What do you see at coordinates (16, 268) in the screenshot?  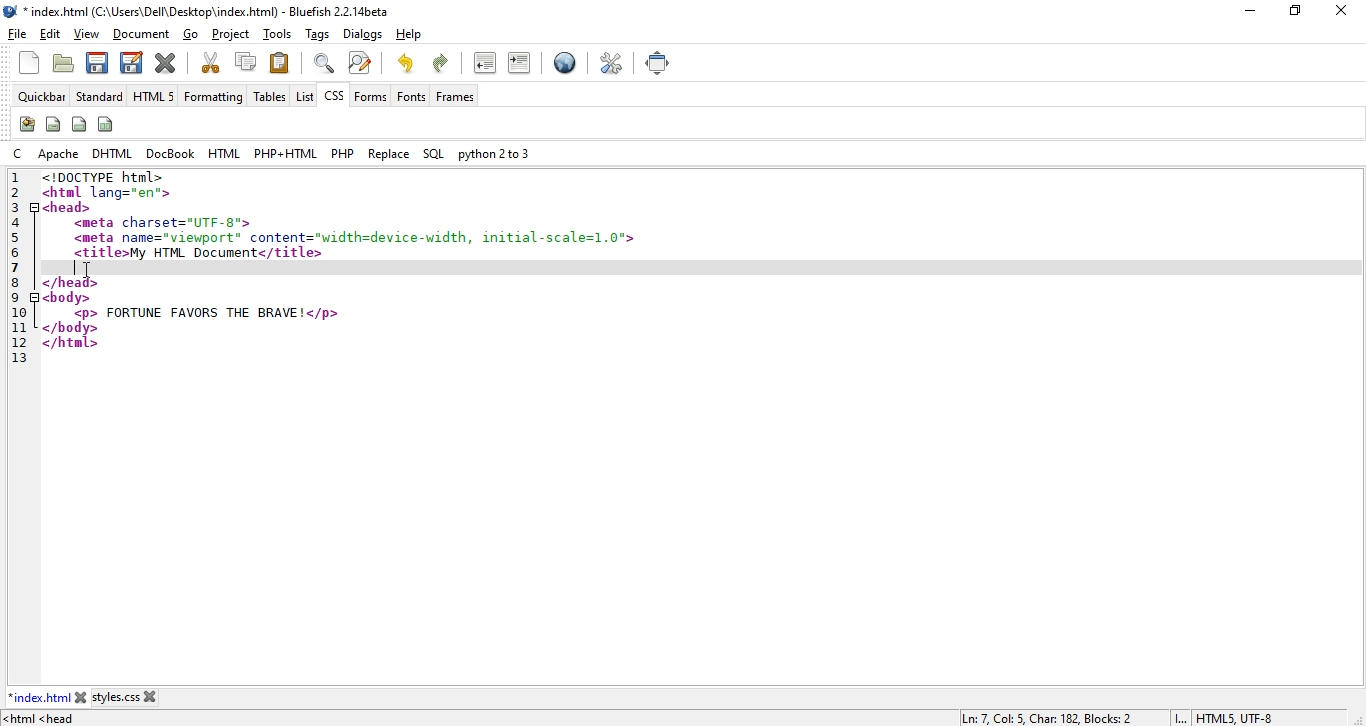 I see `7` at bounding box center [16, 268].